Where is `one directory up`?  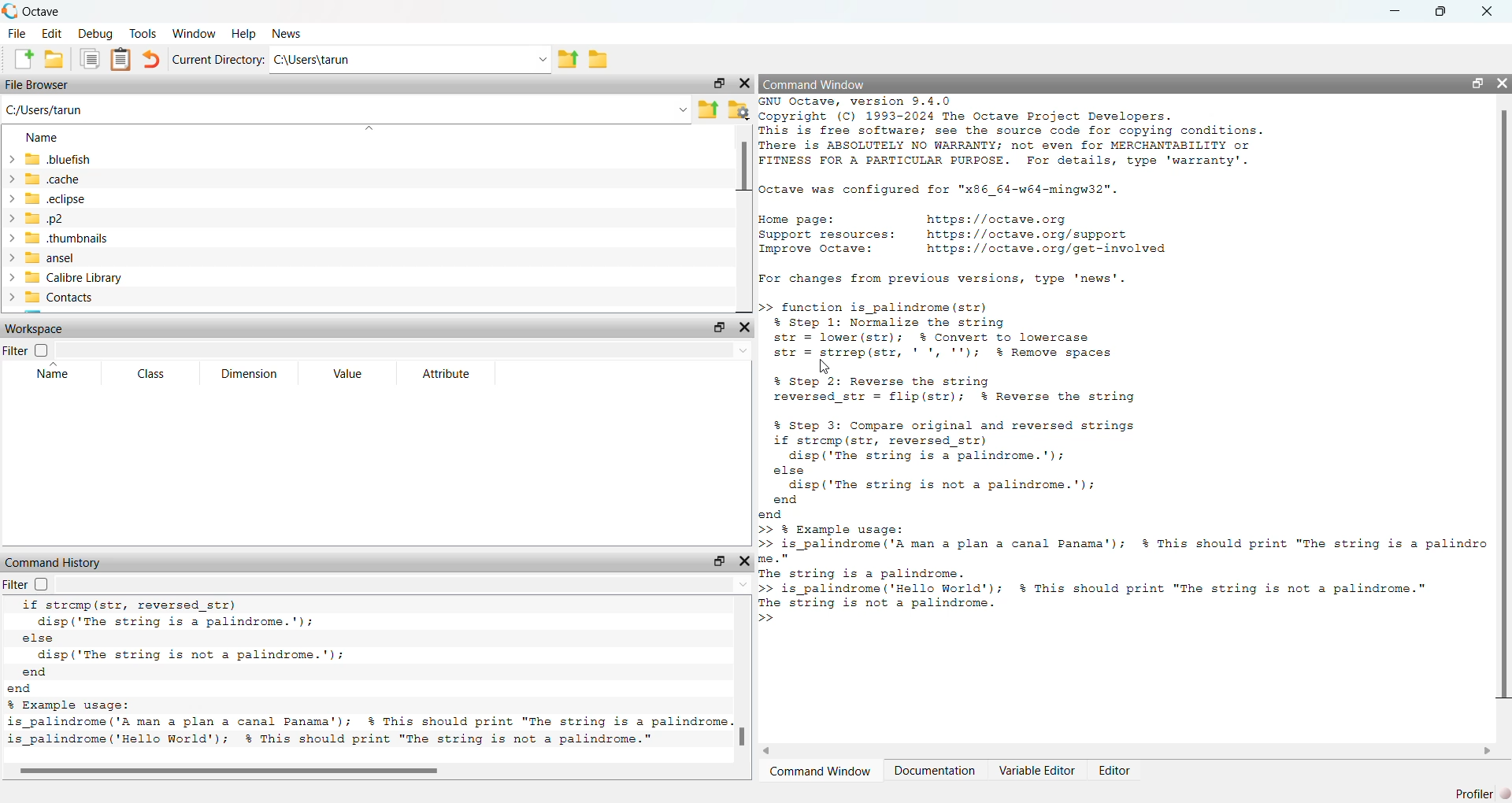
one directory up is located at coordinates (567, 60).